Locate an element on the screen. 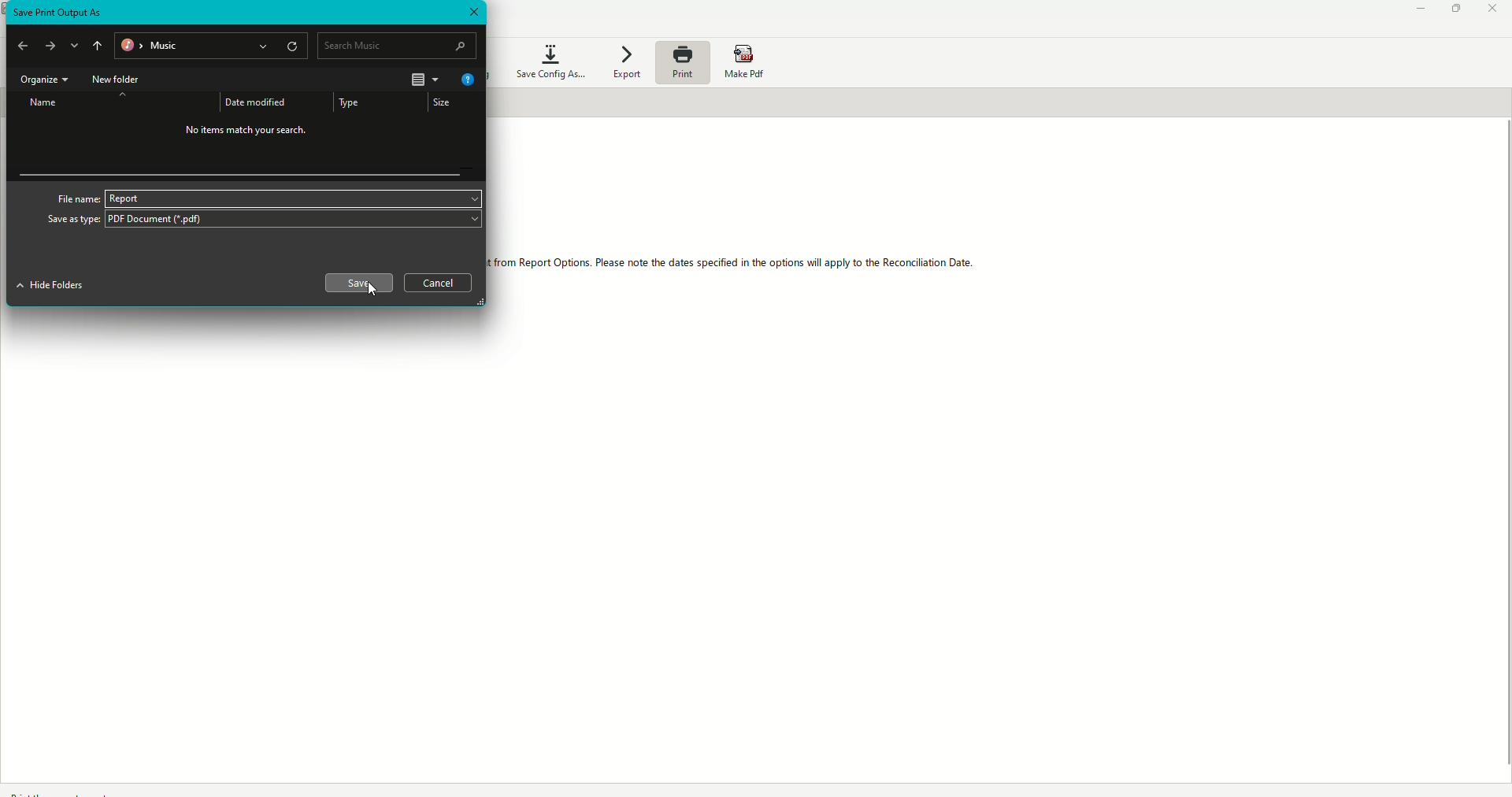  Save as Type - PDF is located at coordinates (262, 221).